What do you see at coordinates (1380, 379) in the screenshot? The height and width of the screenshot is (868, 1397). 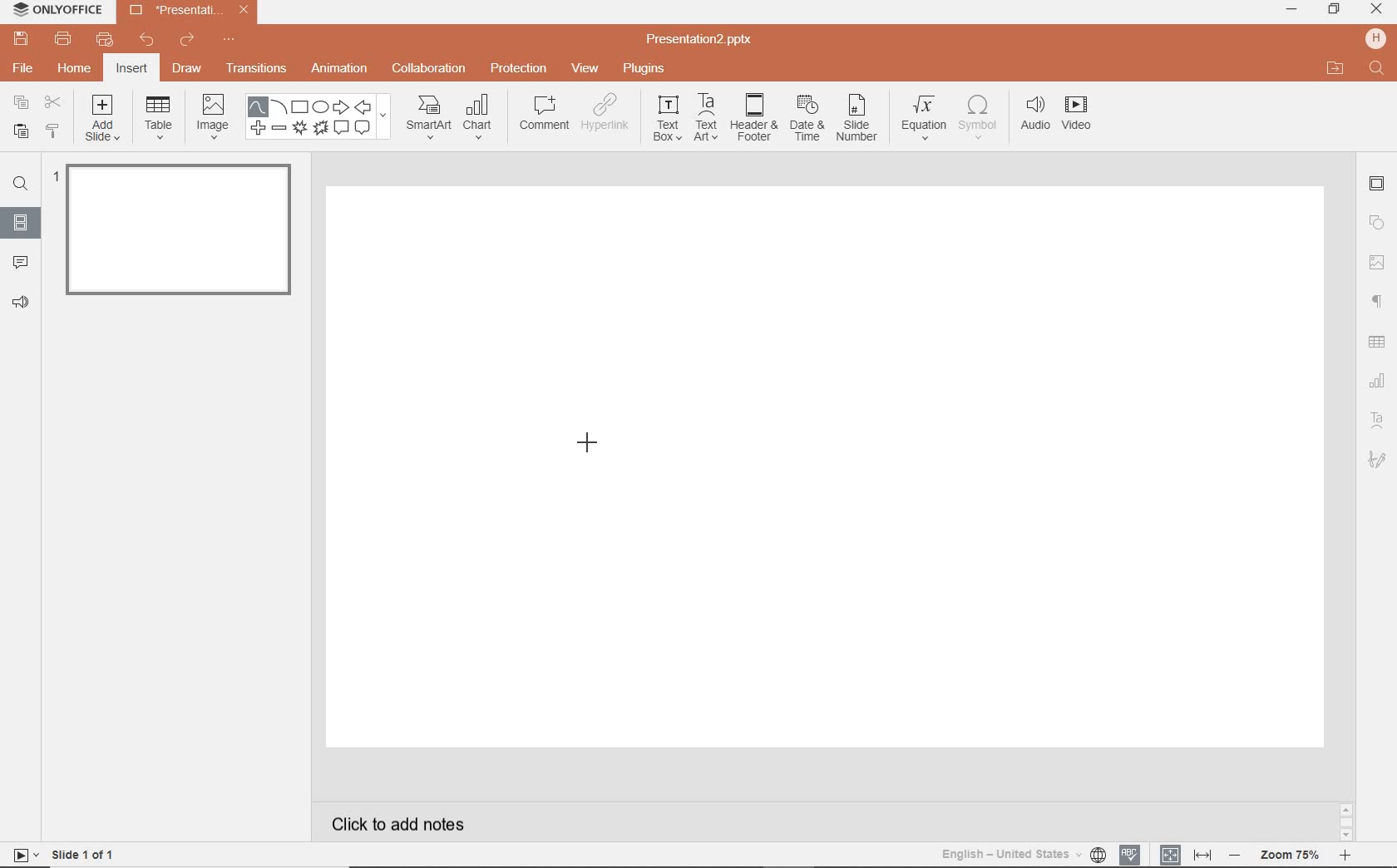 I see `CHART SETTINGS` at bounding box center [1380, 379].